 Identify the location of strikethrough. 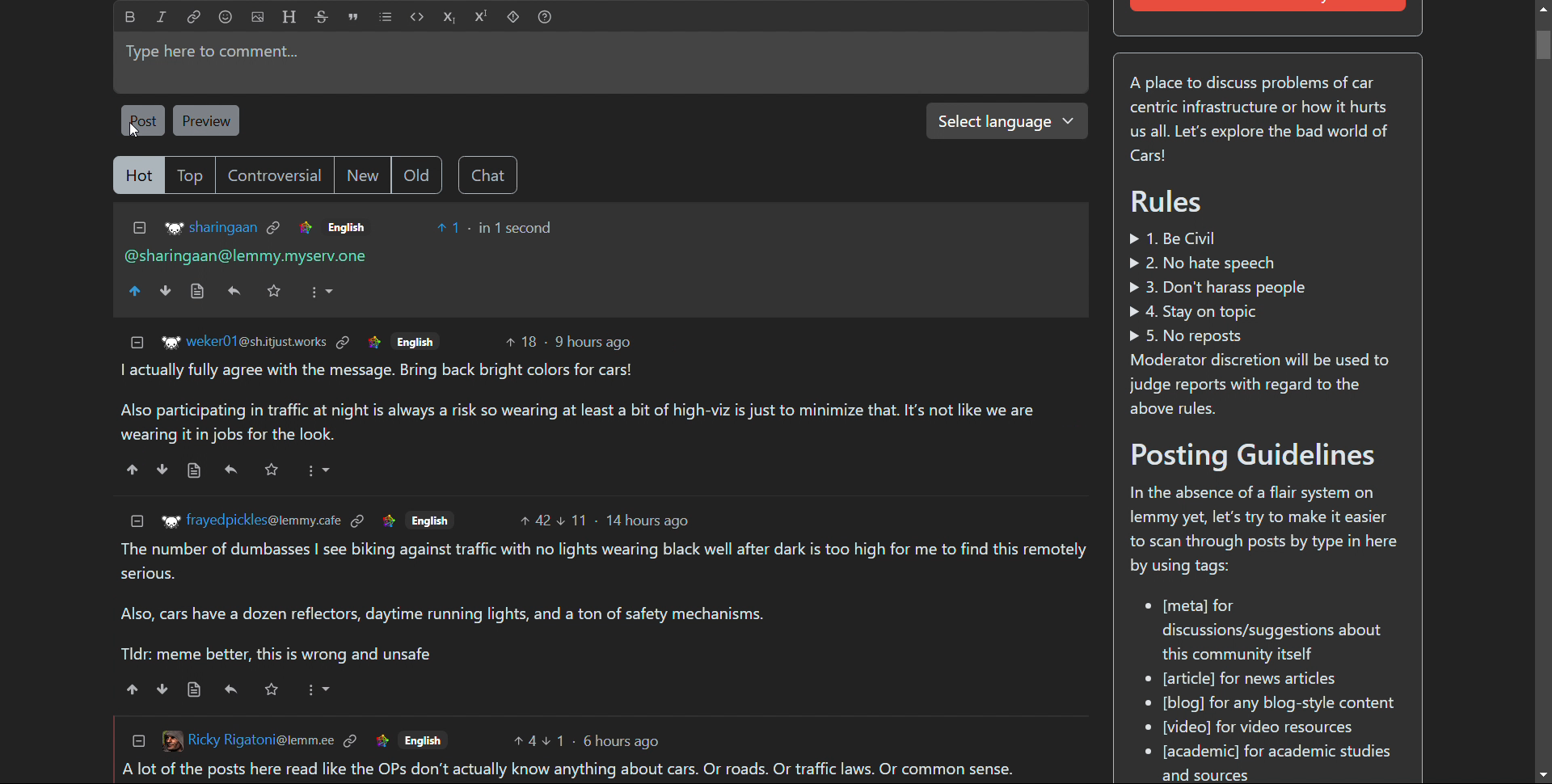
(322, 17).